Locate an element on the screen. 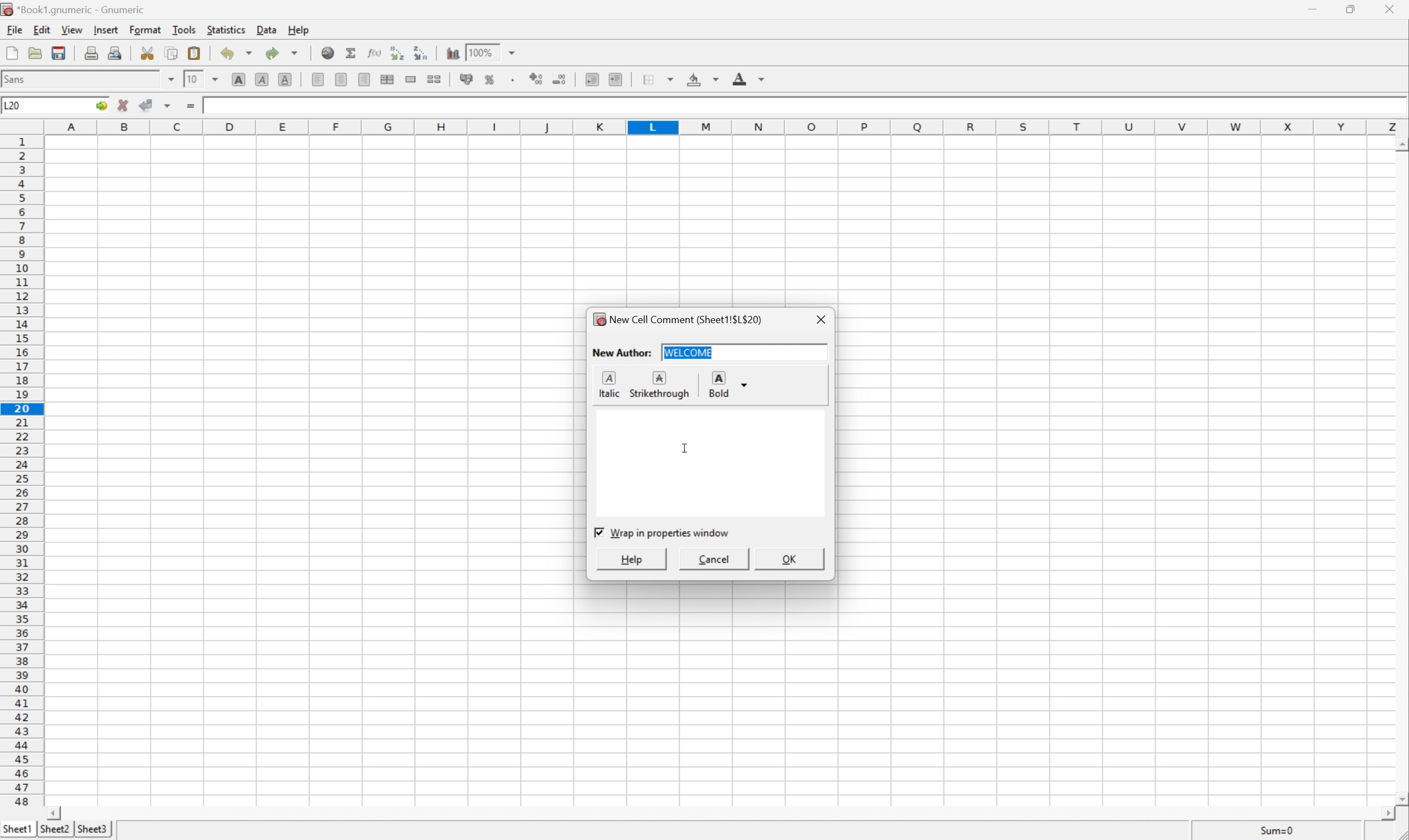  Restore Down is located at coordinates (1347, 10).